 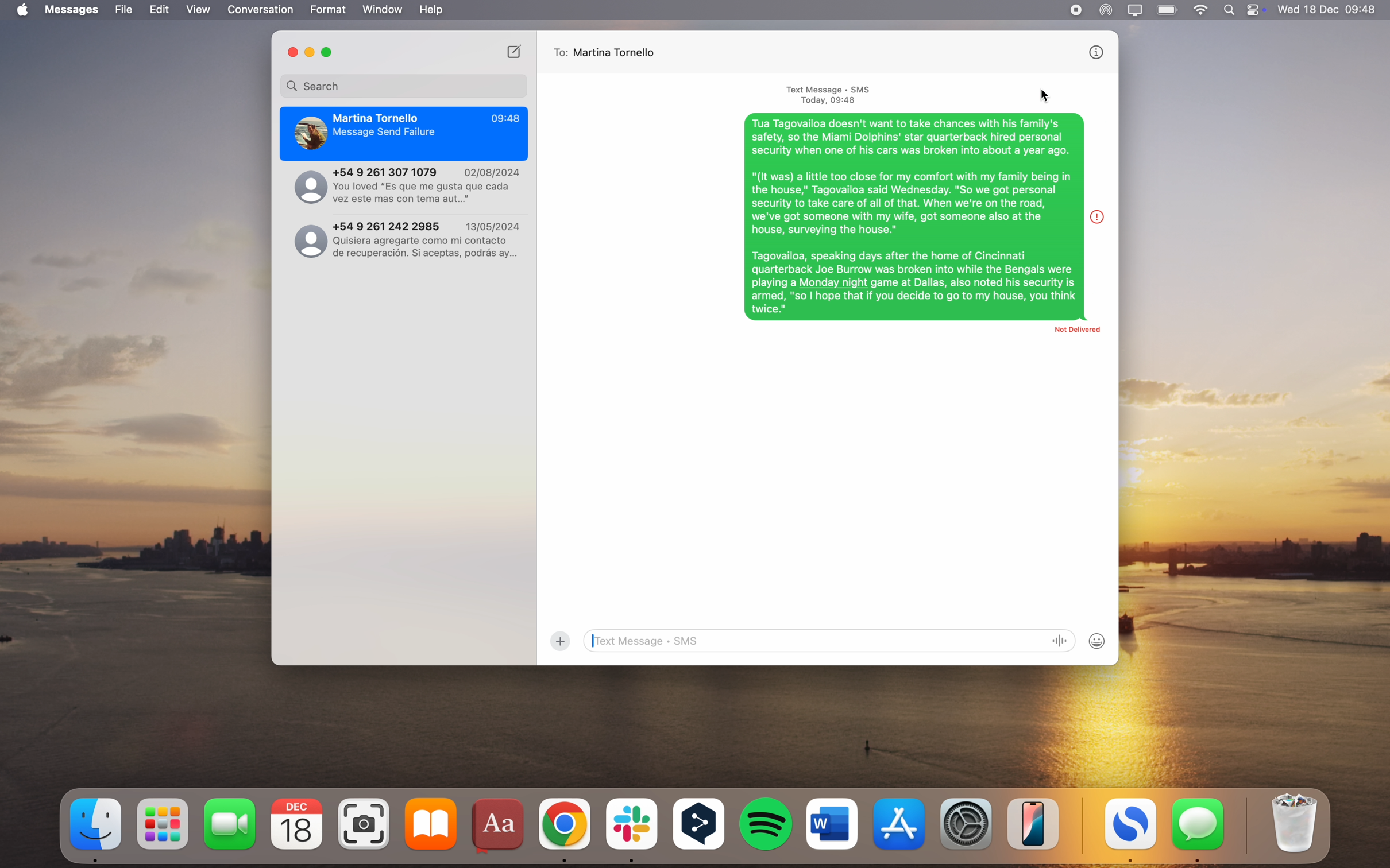 I want to click on edit, so click(x=159, y=10).